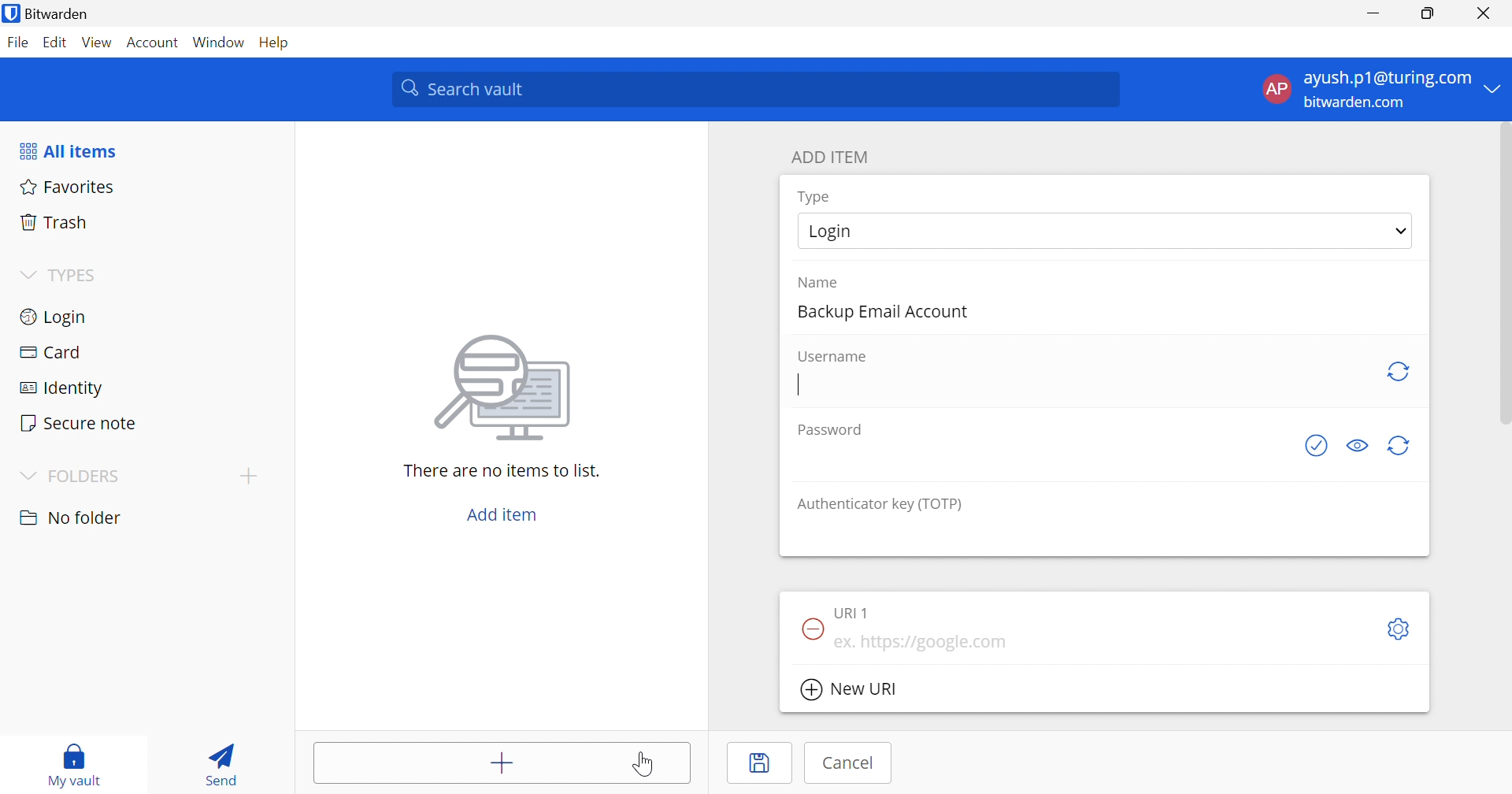 Image resolution: width=1512 pixels, height=794 pixels. Describe the element at coordinates (74, 274) in the screenshot. I see `TYPES` at that location.